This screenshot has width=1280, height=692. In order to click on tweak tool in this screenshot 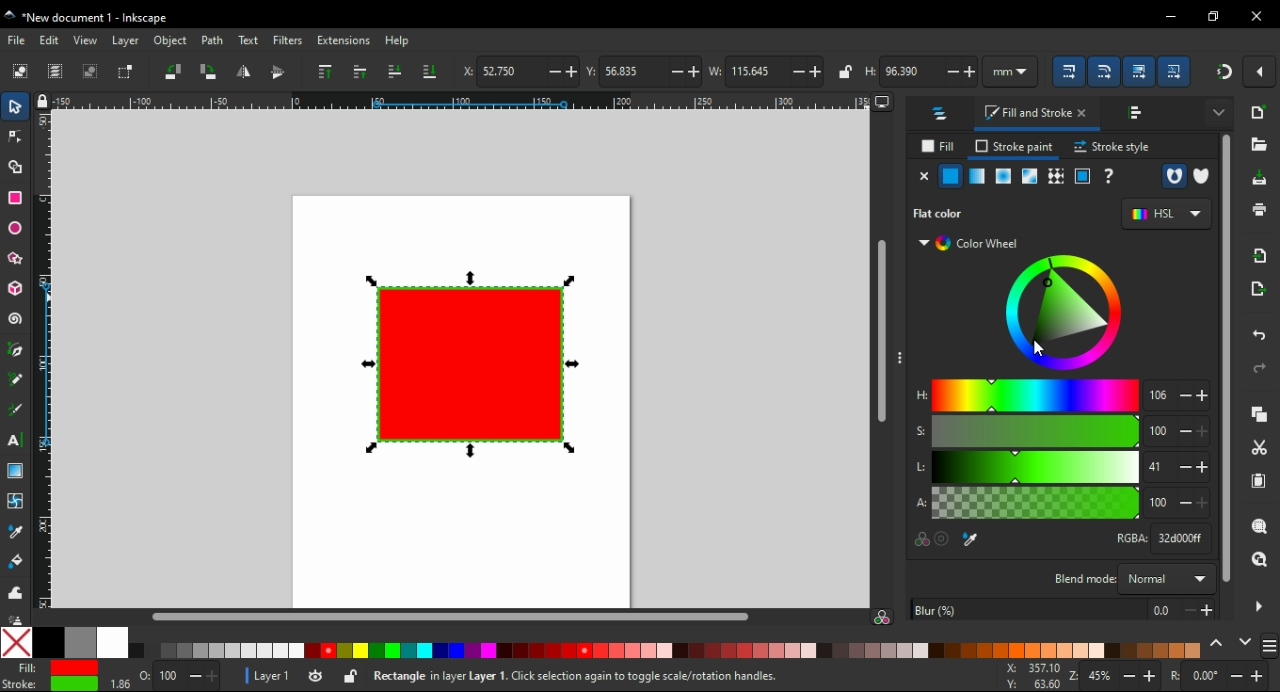, I will do `click(14, 593)`.